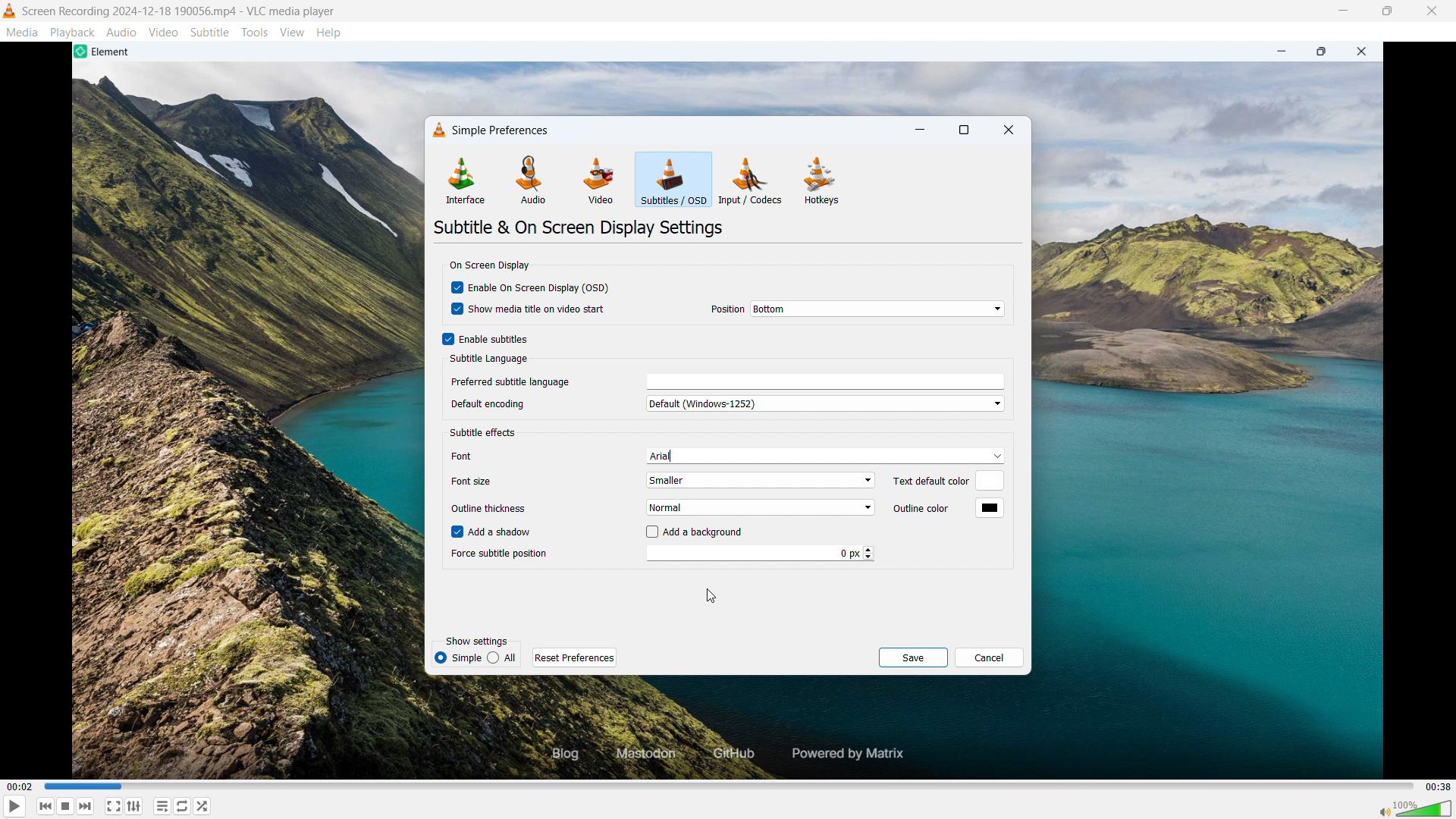 The height and width of the screenshot is (819, 1456). What do you see at coordinates (912, 657) in the screenshot?
I see `save` at bounding box center [912, 657].